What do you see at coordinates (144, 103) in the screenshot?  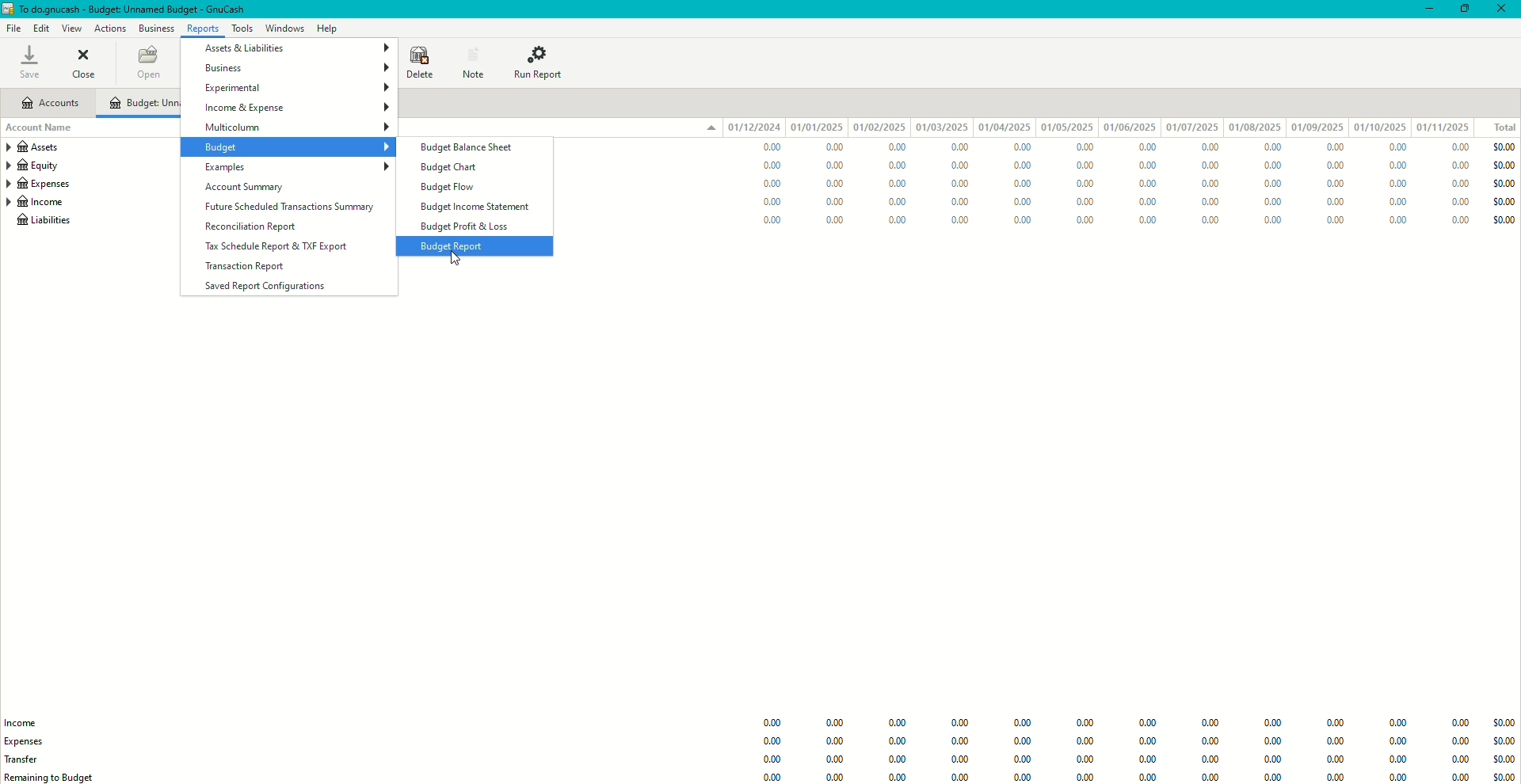 I see `Unnamed Budget` at bounding box center [144, 103].